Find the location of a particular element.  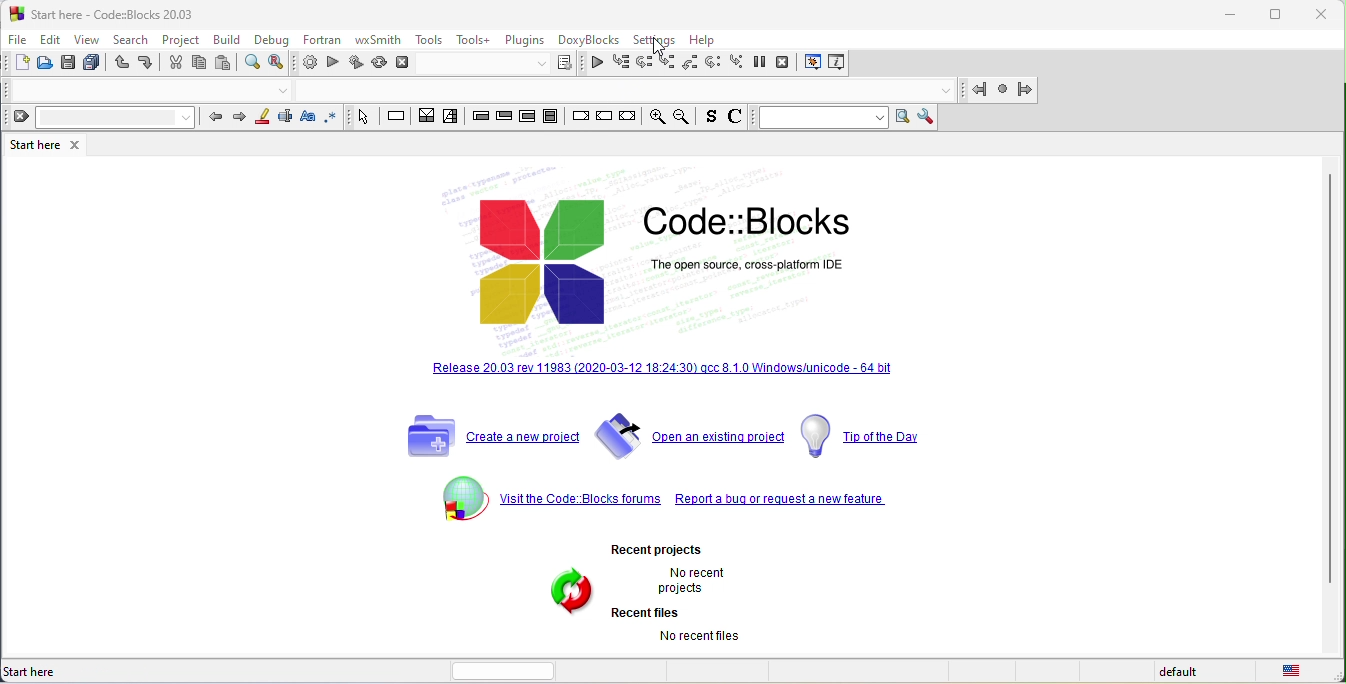

start here is located at coordinates (64, 674).